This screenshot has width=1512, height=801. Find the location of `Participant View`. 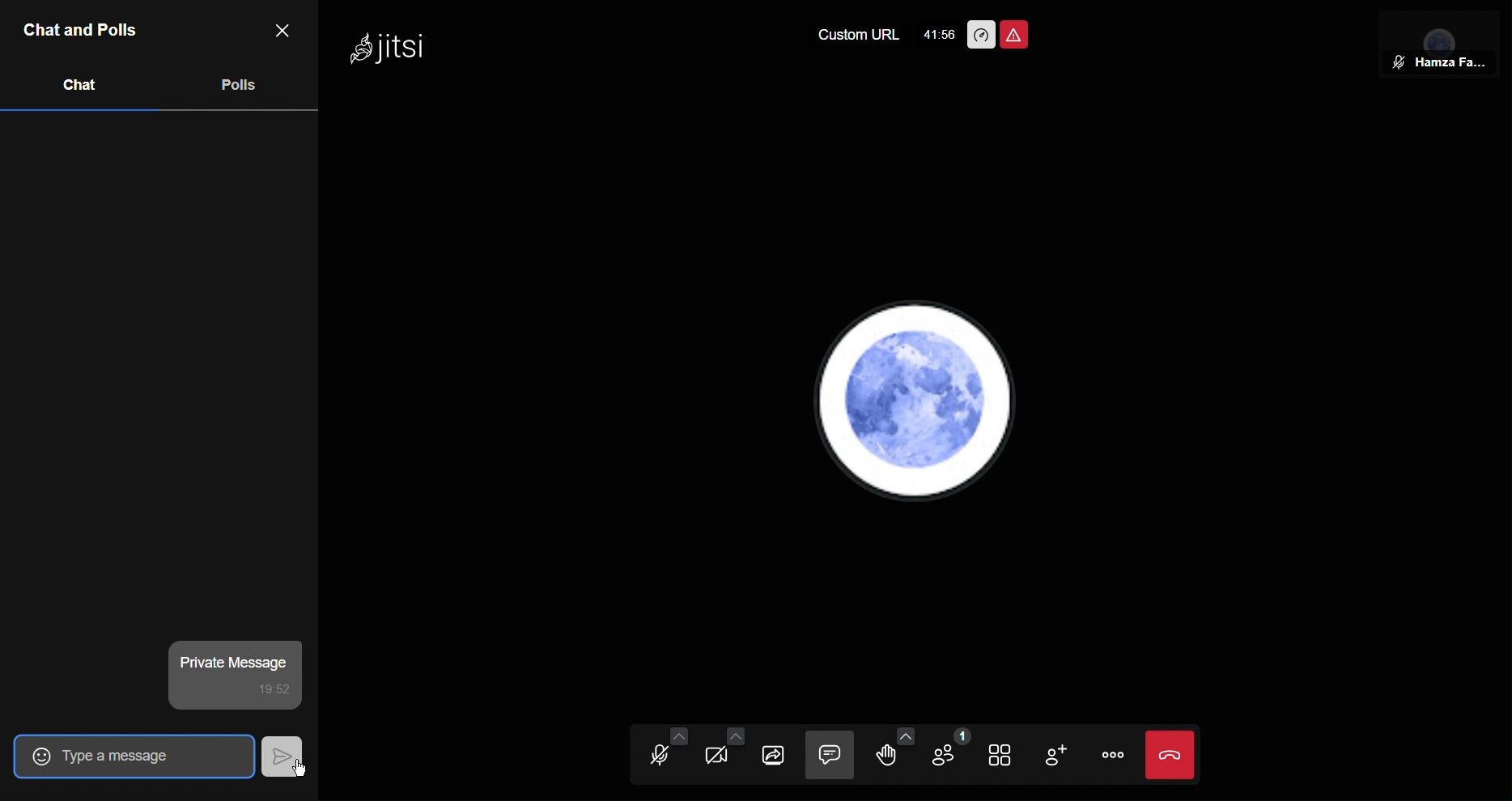

Participant View is located at coordinates (1438, 39).